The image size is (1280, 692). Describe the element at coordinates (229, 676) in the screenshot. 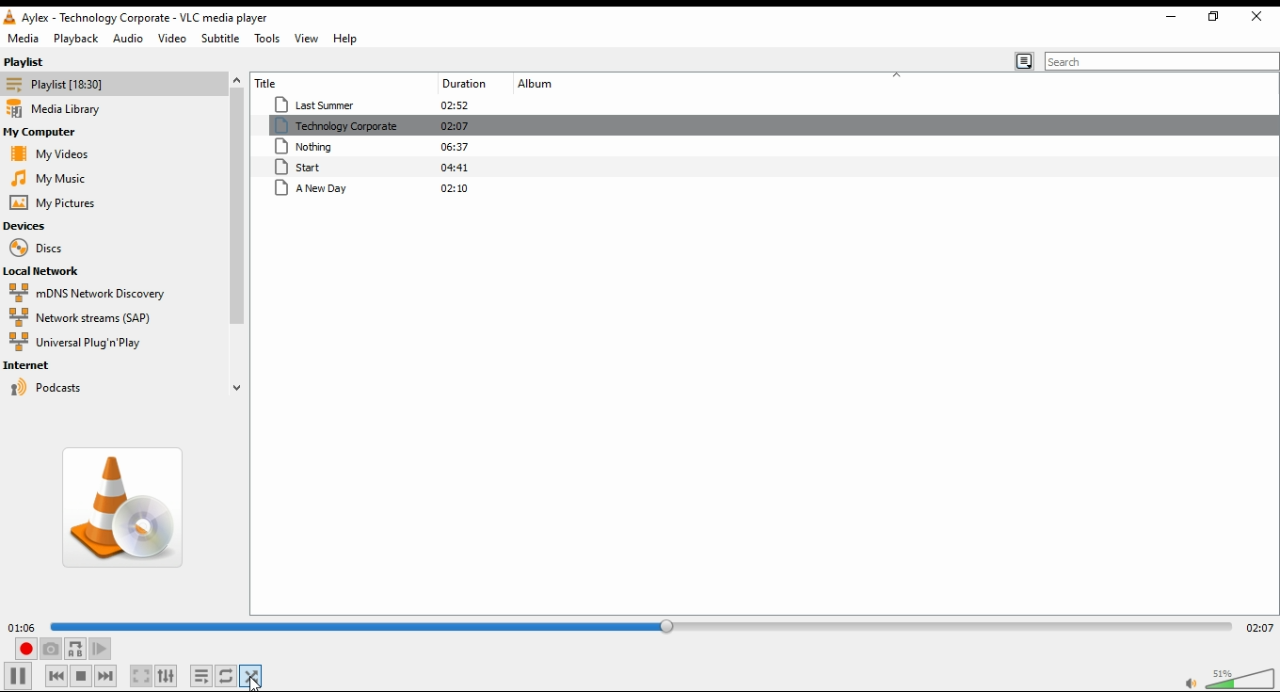

I see `select between loop all, loop one, and no loop` at that location.